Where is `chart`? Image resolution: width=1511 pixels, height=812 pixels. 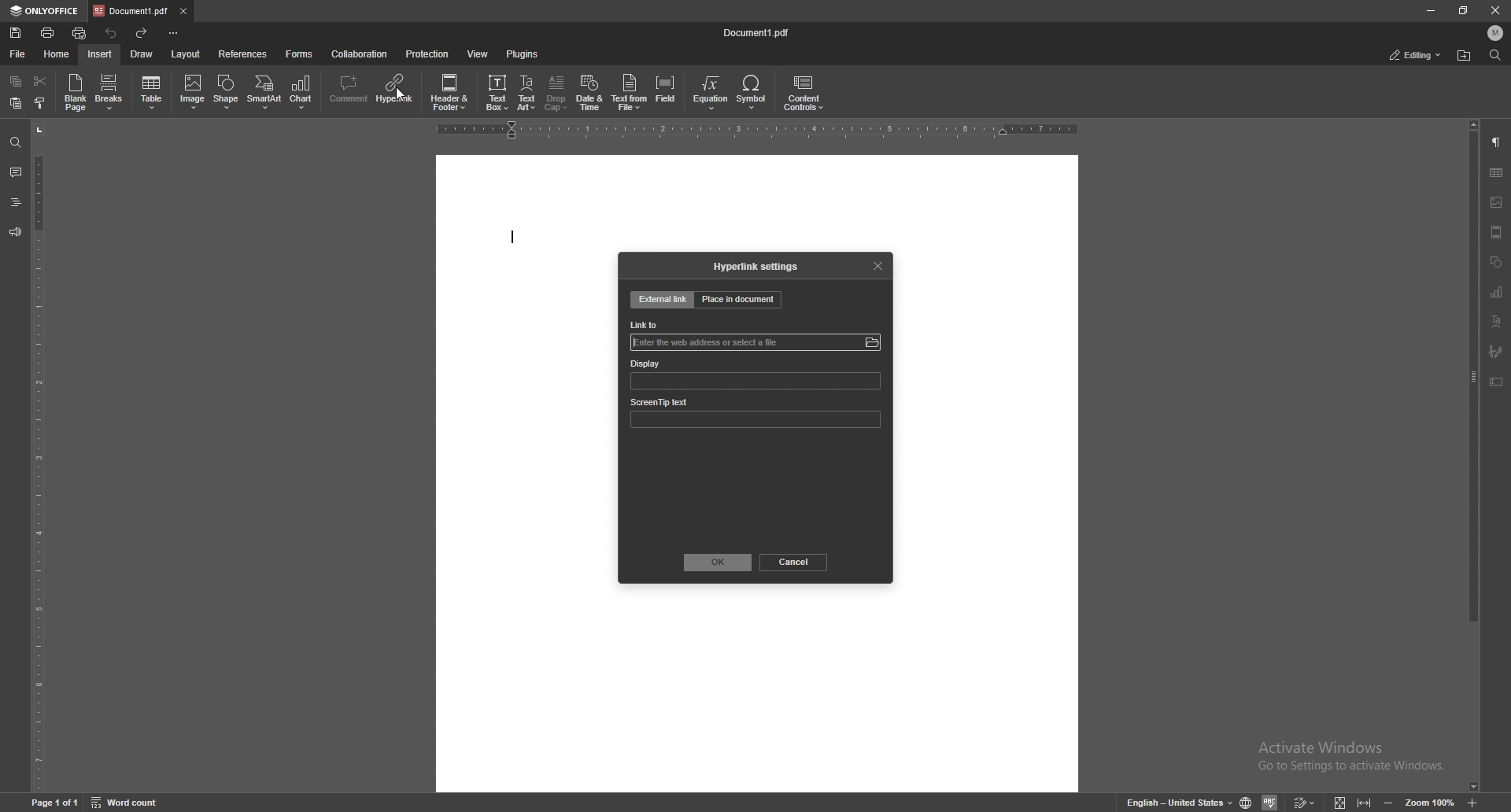
chart is located at coordinates (302, 93).